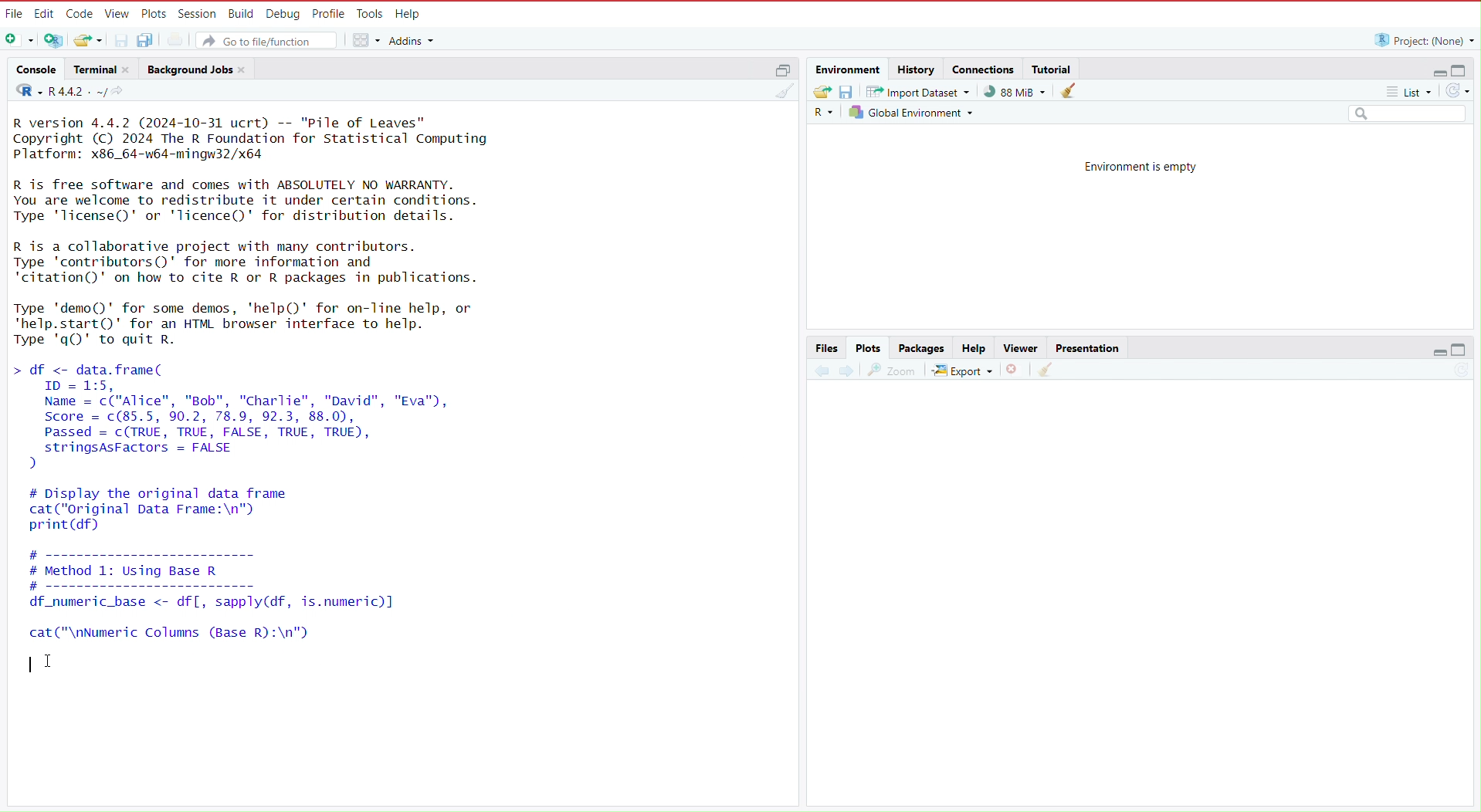 The height and width of the screenshot is (812, 1481). Describe the element at coordinates (409, 12) in the screenshot. I see `Help` at that location.